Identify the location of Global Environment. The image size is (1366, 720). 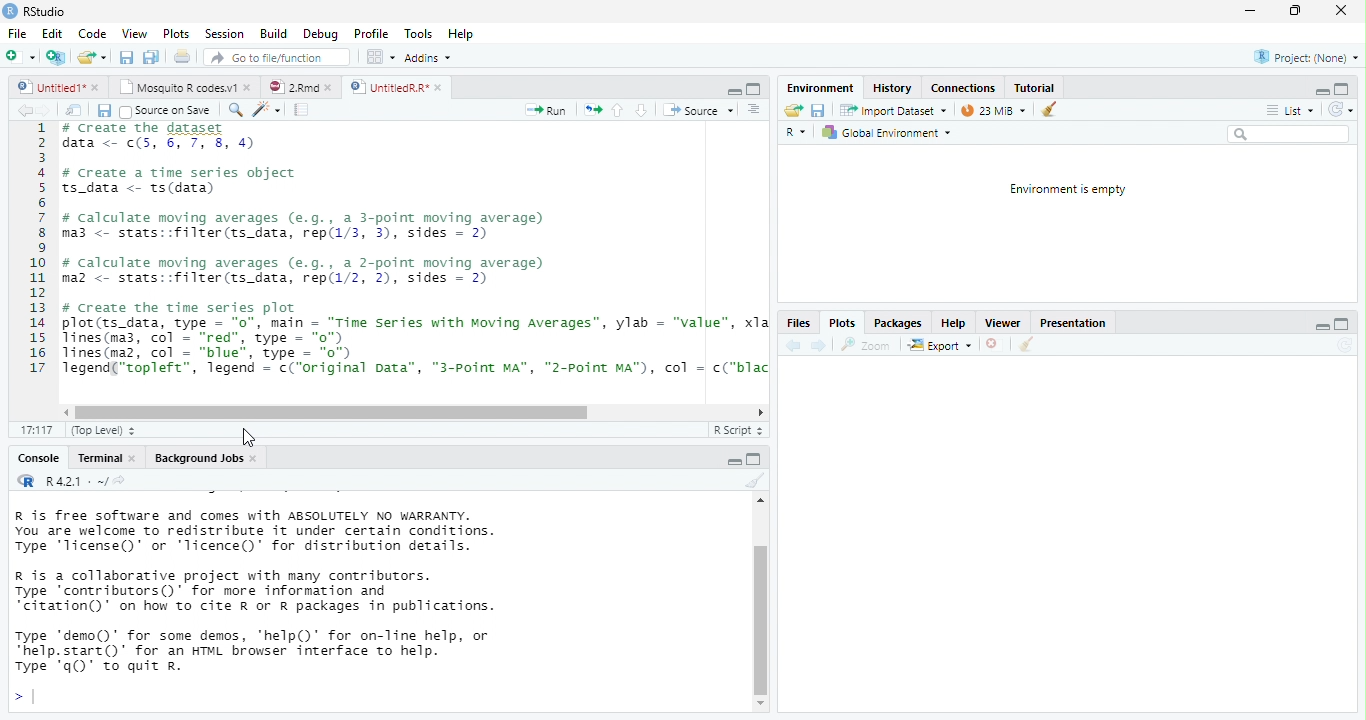
(886, 133).